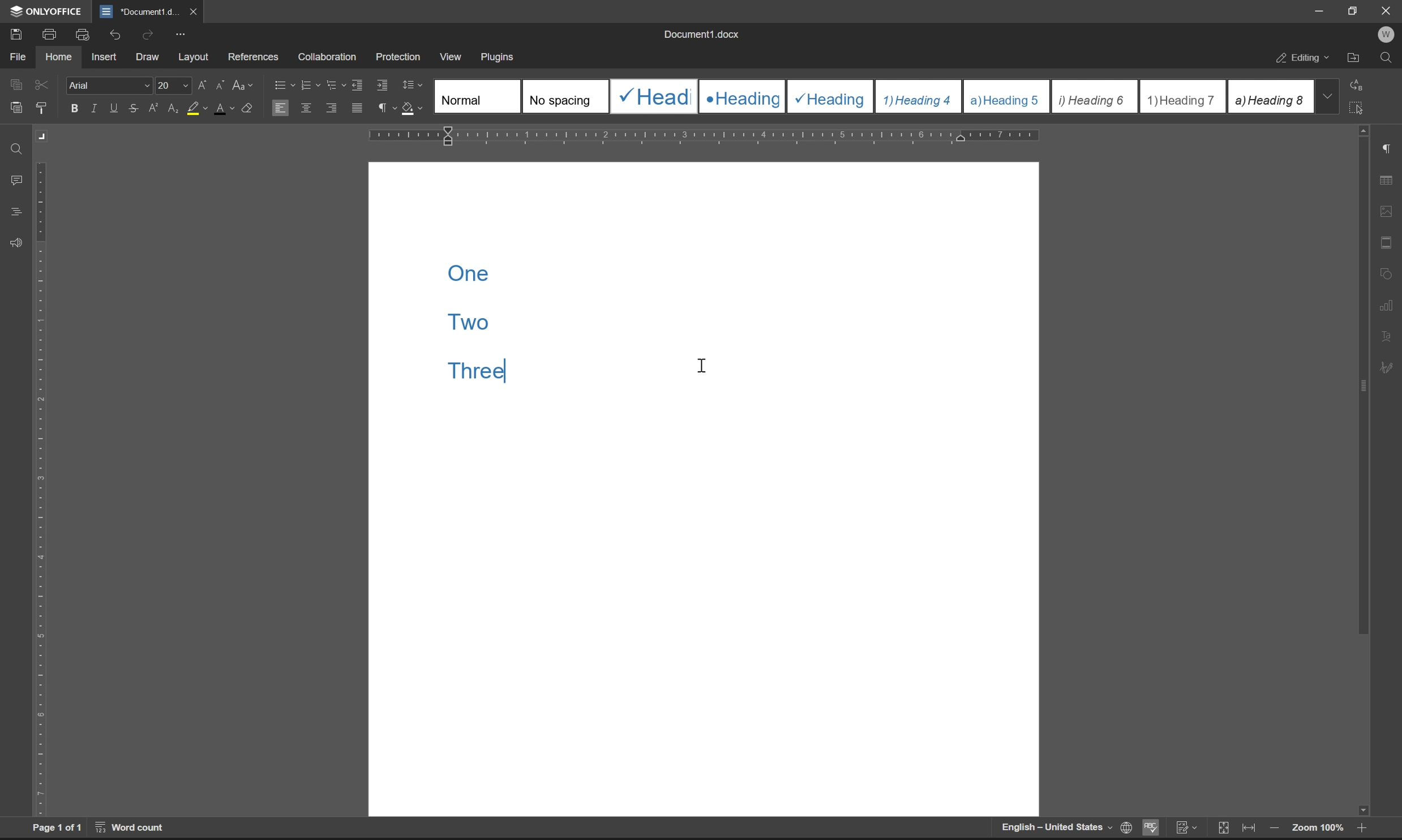 This screenshot has height=840, width=1402. I want to click on Heading 4, so click(919, 97).